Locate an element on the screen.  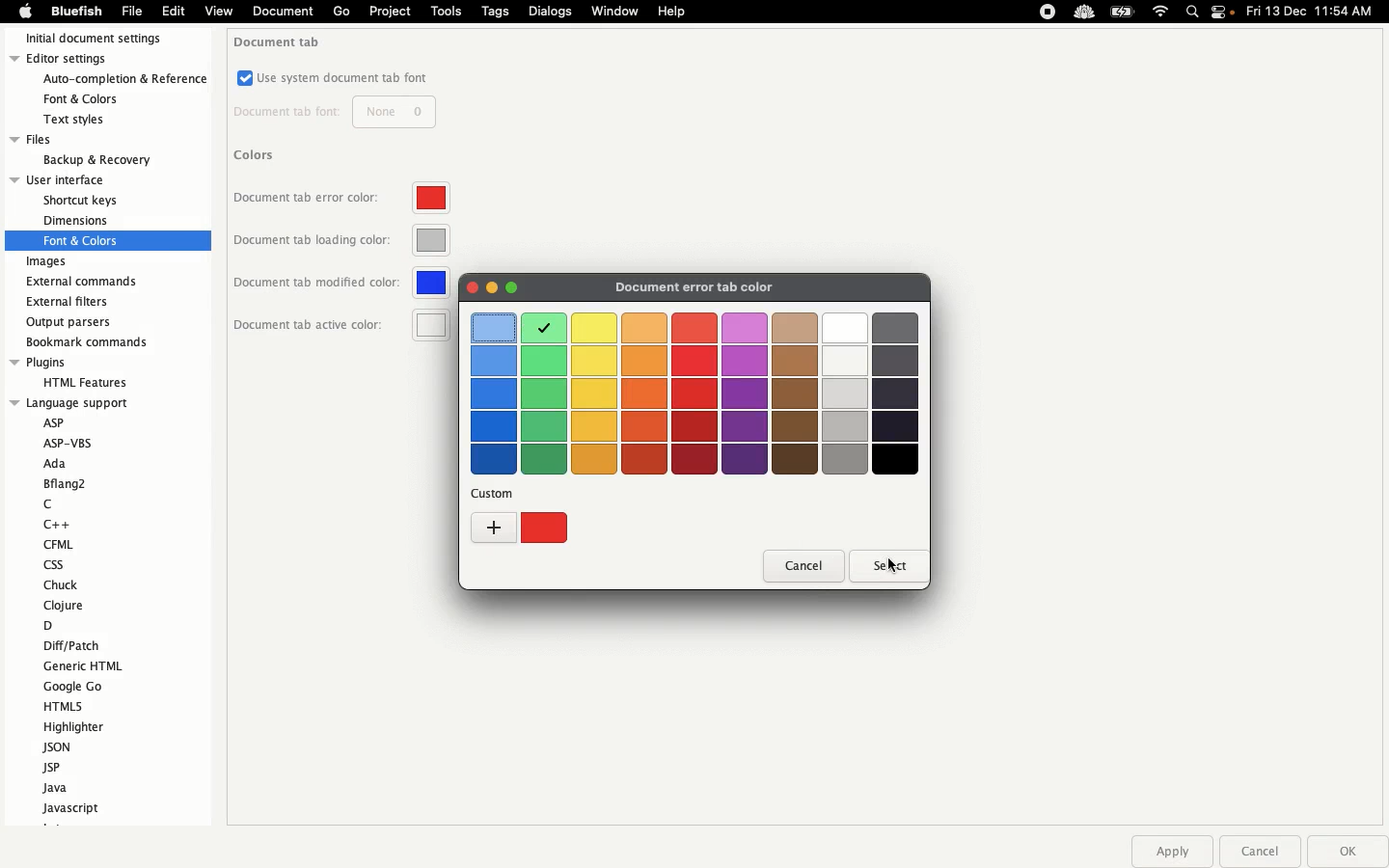
colors is located at coordinates (746, 325).